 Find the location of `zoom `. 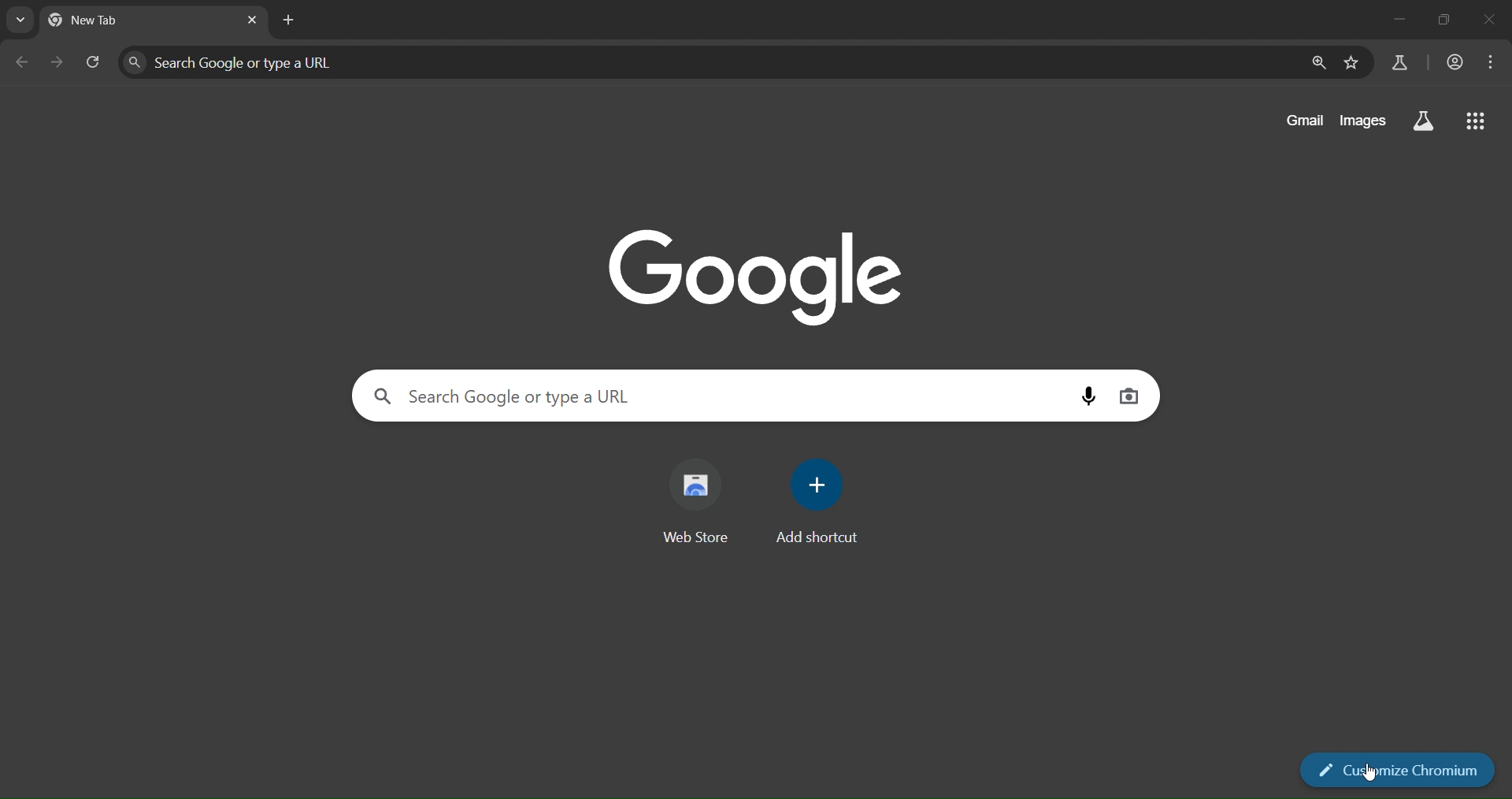

zoom  is located at coordinates (1314, 63).